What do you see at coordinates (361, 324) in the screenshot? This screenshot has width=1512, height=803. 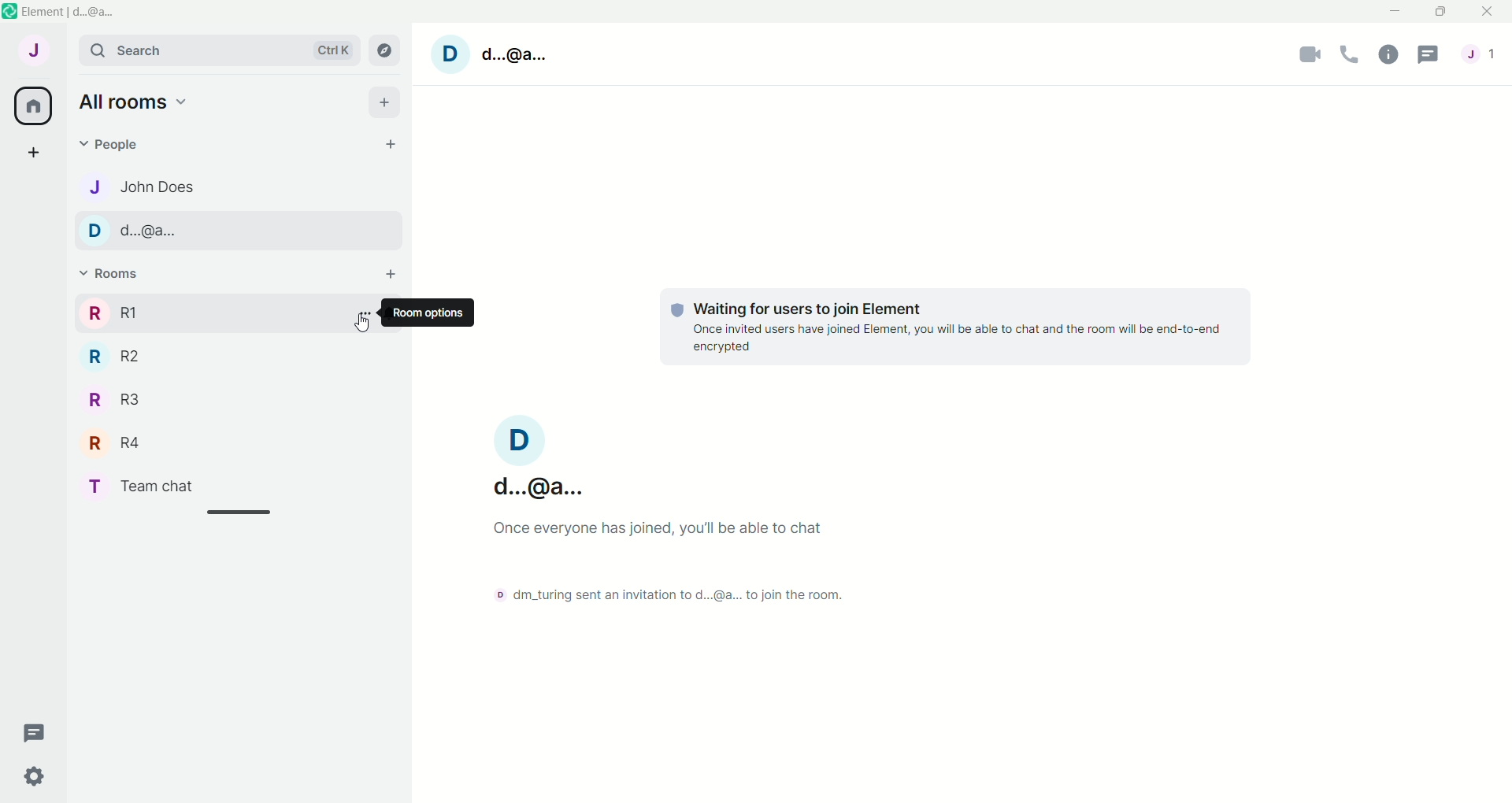 I see `Cursor` at bounding box center [361, 324].